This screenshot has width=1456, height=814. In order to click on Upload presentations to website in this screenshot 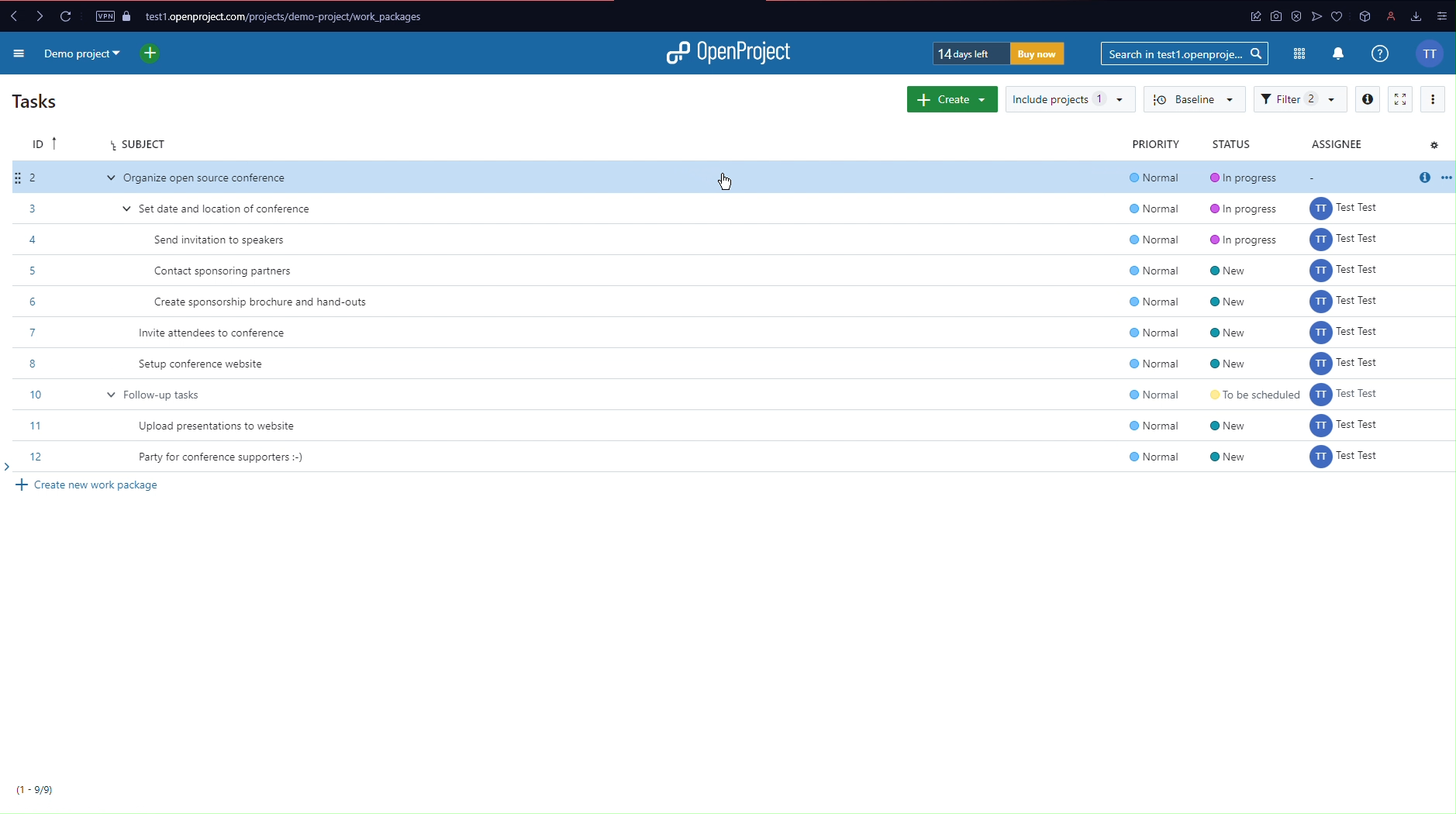, I will do `click(213, 424)`.